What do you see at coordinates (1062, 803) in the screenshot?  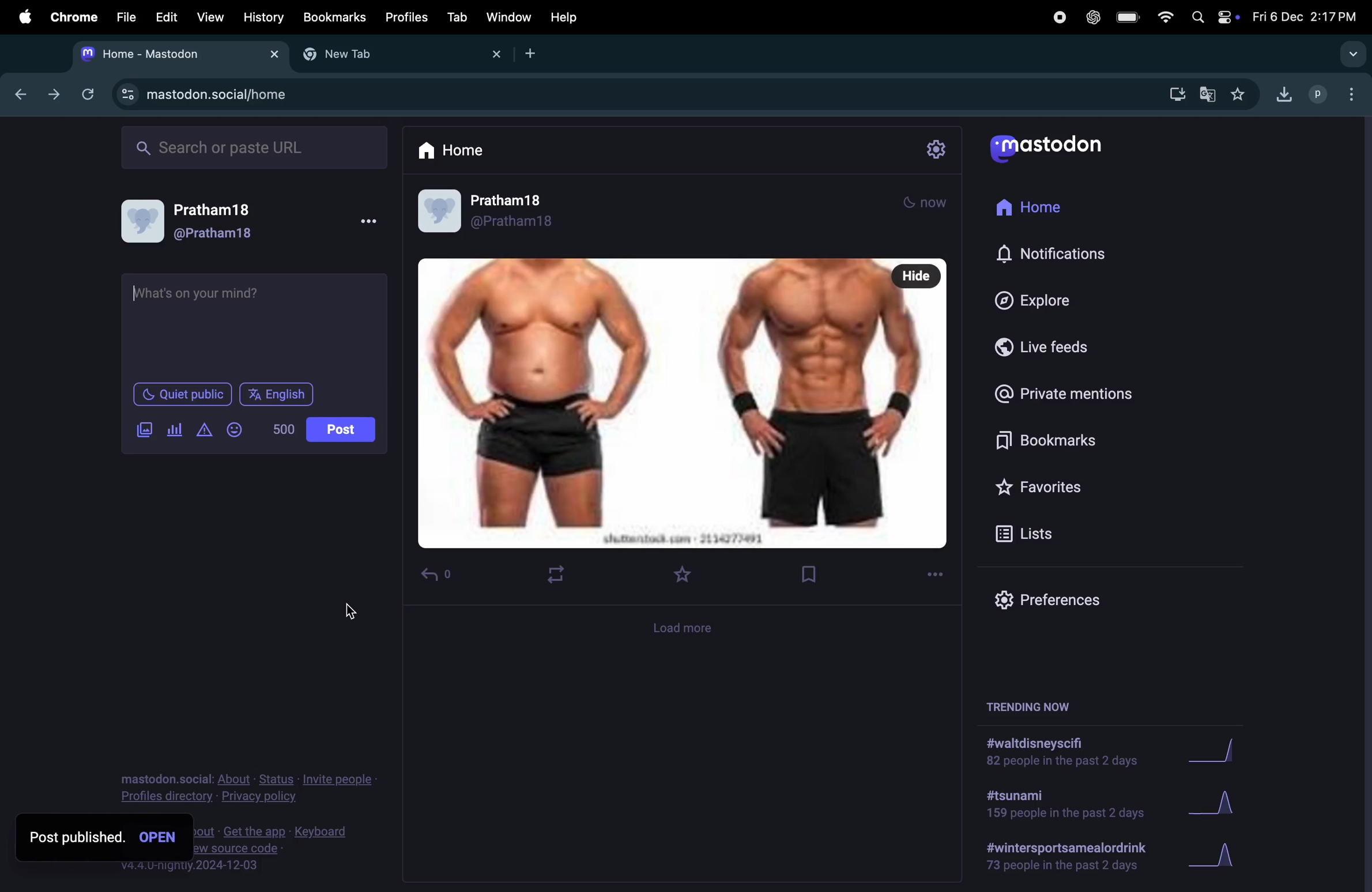 I see `#tsunami` at bounding box center [1062, 803].